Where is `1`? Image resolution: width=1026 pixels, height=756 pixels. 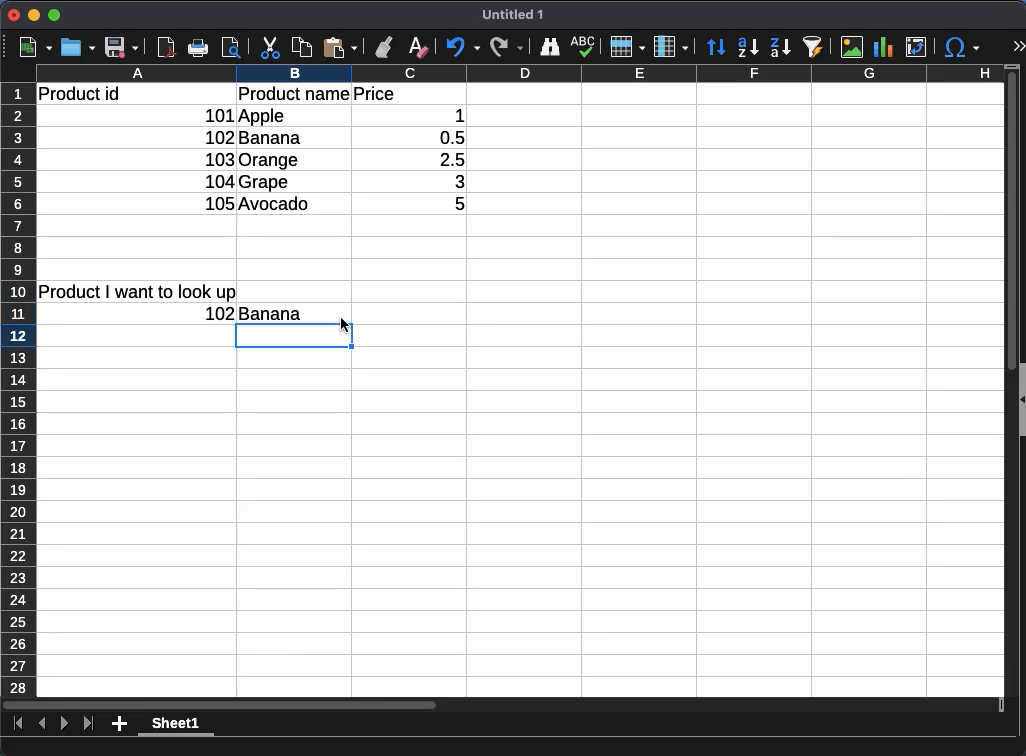 1 is located at coordinates (449, 116).